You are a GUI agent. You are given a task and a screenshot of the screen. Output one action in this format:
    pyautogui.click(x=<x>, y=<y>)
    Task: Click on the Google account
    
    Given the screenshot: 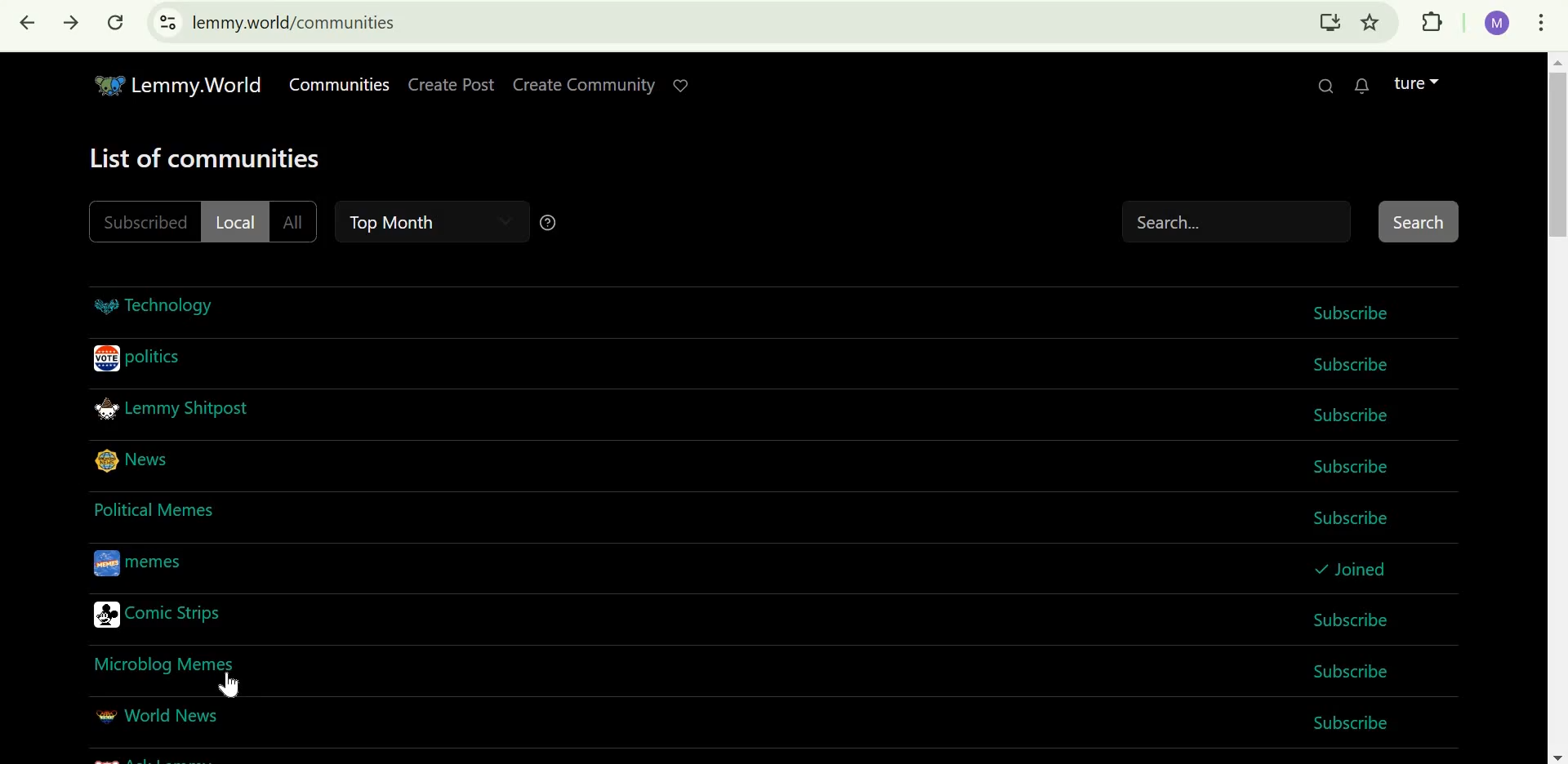 What is the action you would take?
    pyautogui.click(x=1499, y=23)
    